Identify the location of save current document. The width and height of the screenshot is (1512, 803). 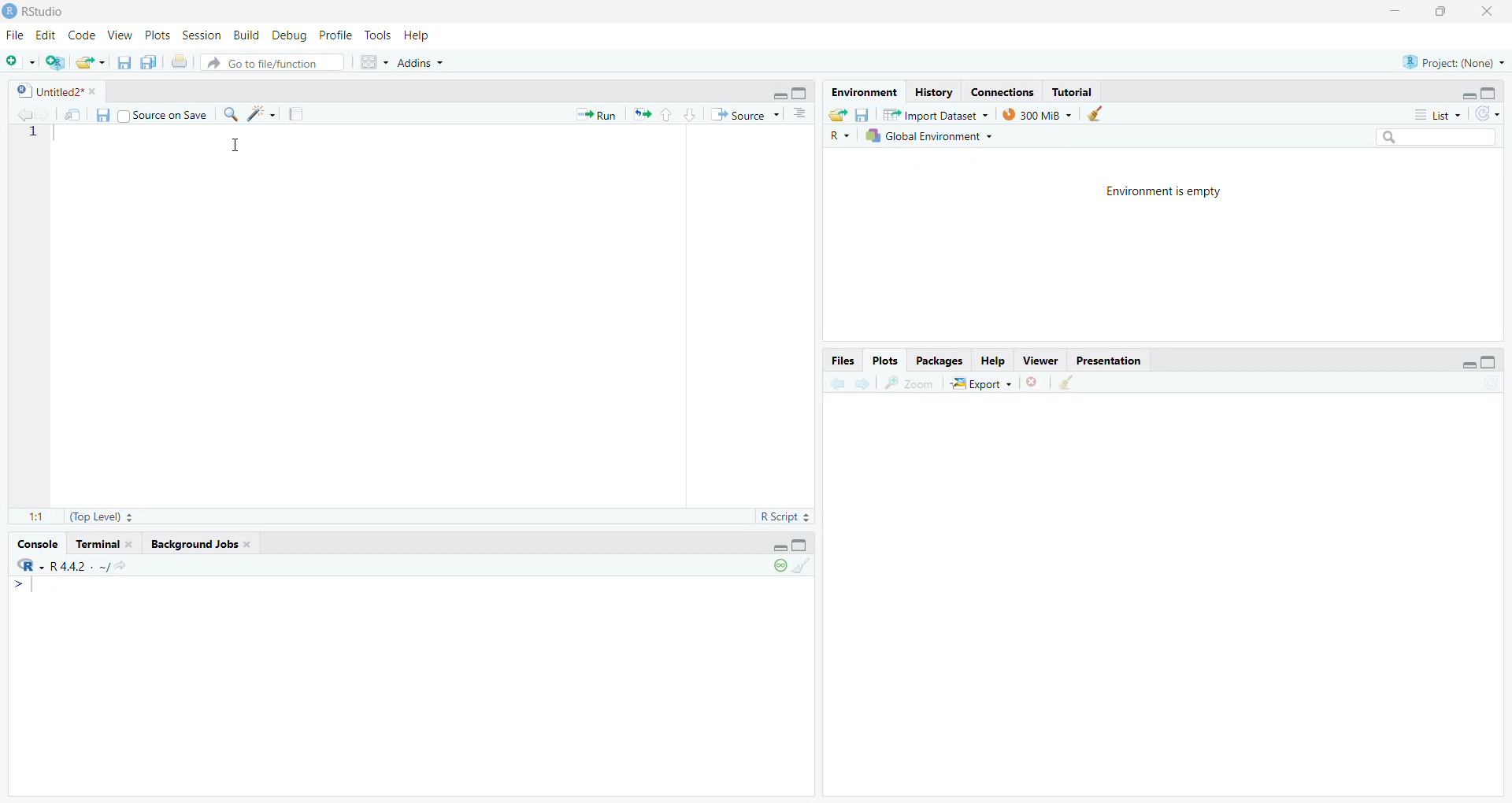
(124, 62).